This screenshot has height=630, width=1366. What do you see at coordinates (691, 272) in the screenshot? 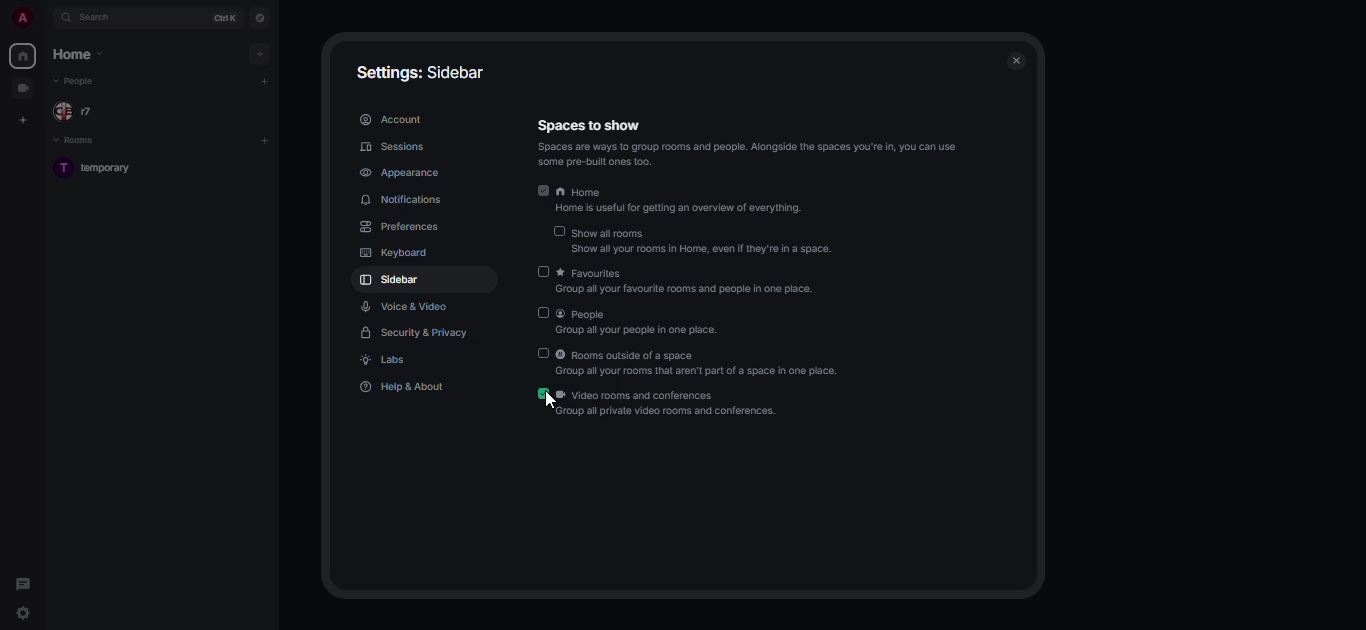
I see `favorites` at bounding box center [691, 272].